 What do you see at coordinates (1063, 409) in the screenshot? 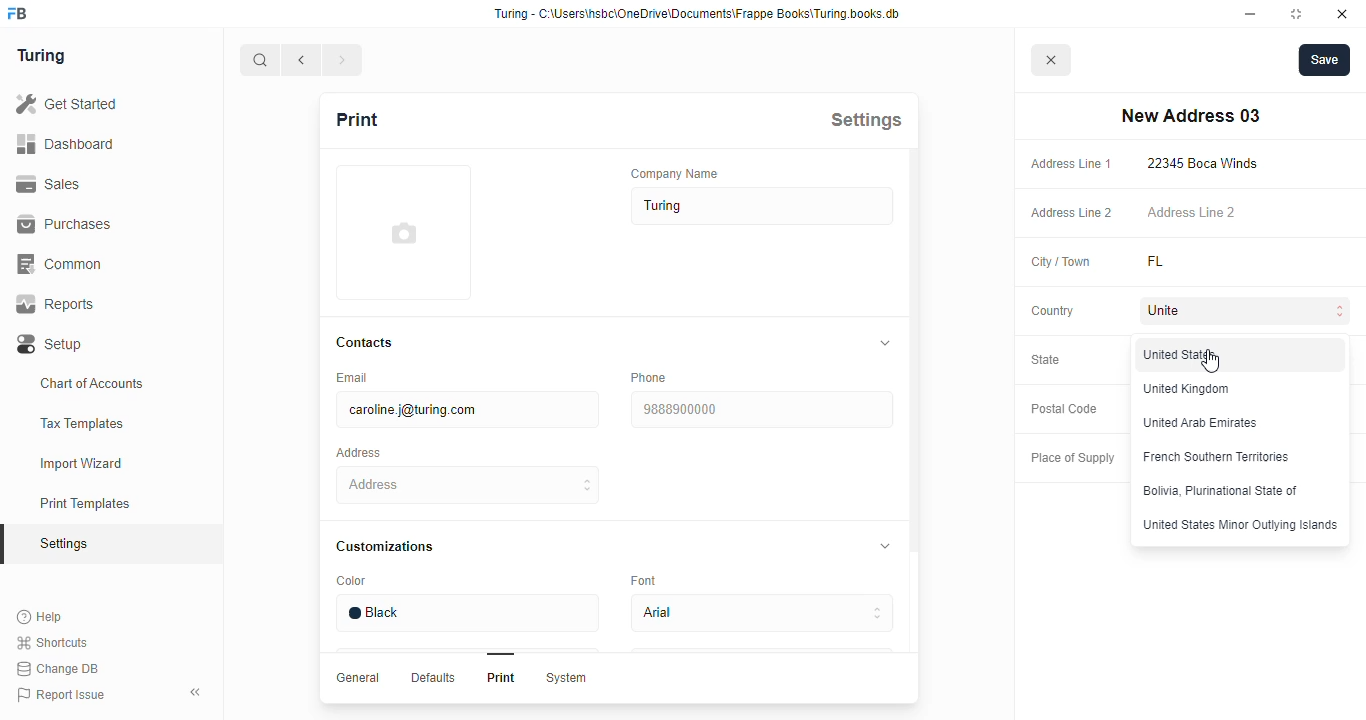
I see `postal code` at bounding box center [1063, 409].